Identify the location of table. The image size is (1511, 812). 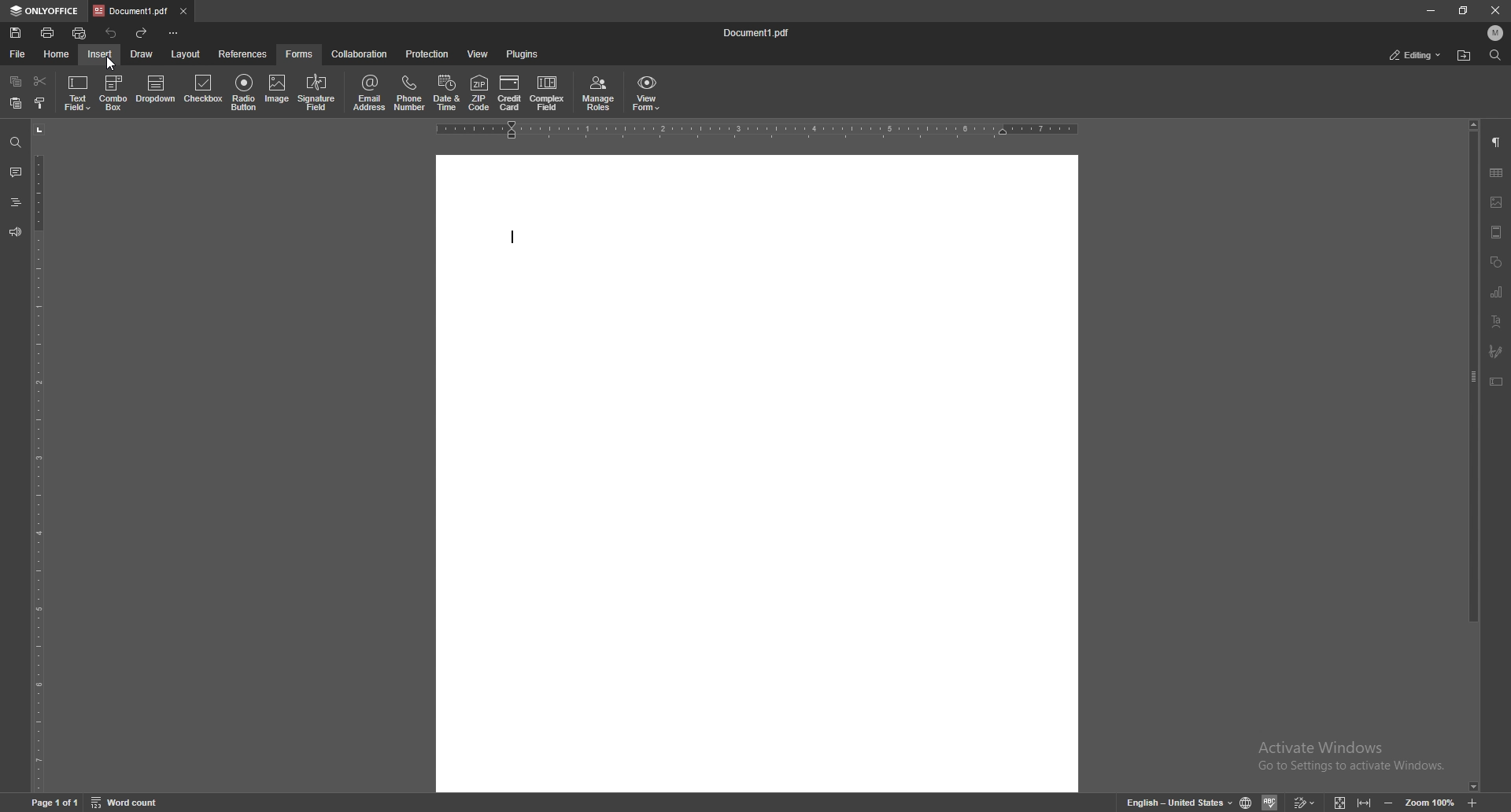
(1496, 172).